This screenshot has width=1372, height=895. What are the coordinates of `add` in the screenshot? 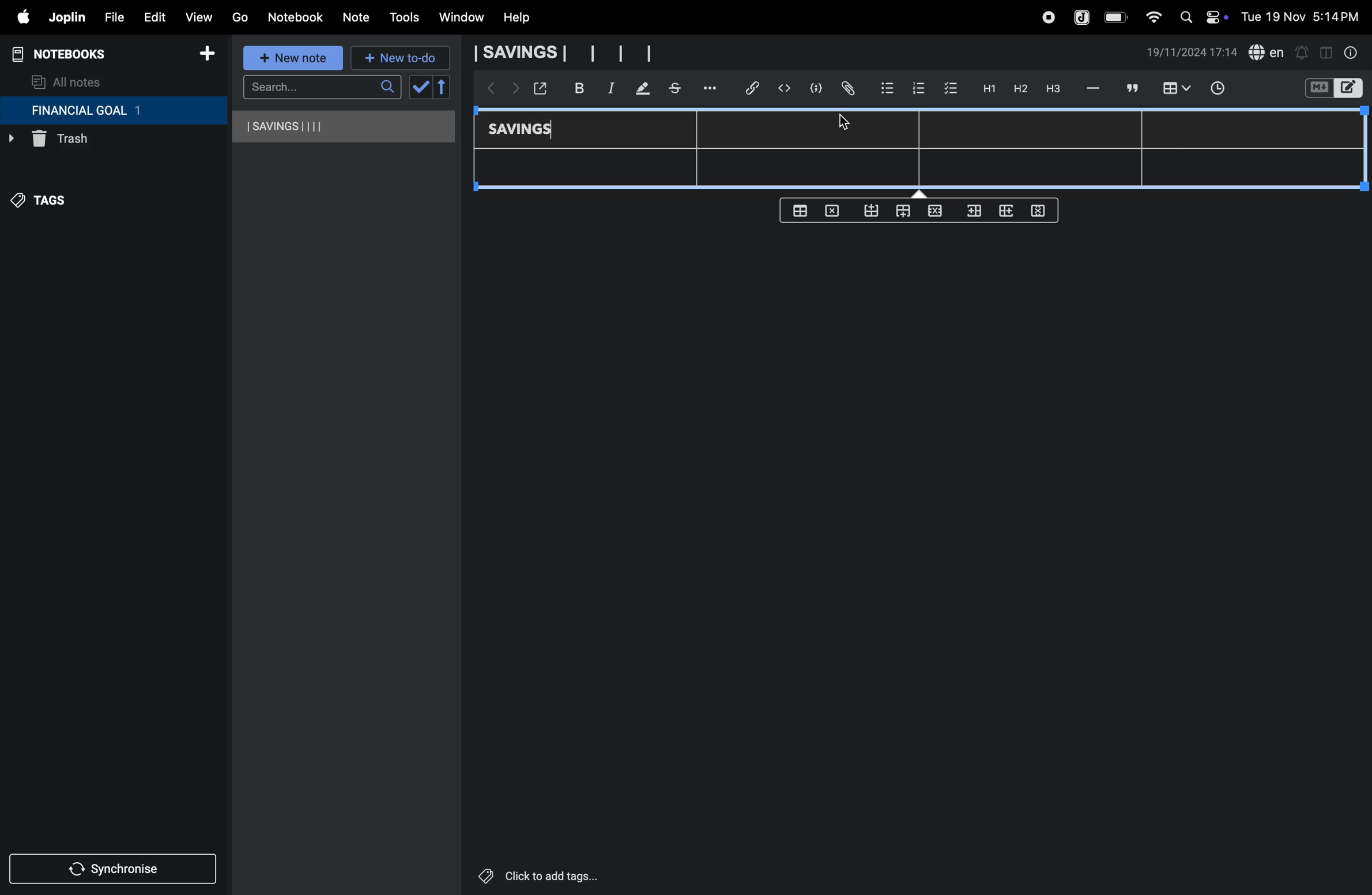 It's located at (207, 55).